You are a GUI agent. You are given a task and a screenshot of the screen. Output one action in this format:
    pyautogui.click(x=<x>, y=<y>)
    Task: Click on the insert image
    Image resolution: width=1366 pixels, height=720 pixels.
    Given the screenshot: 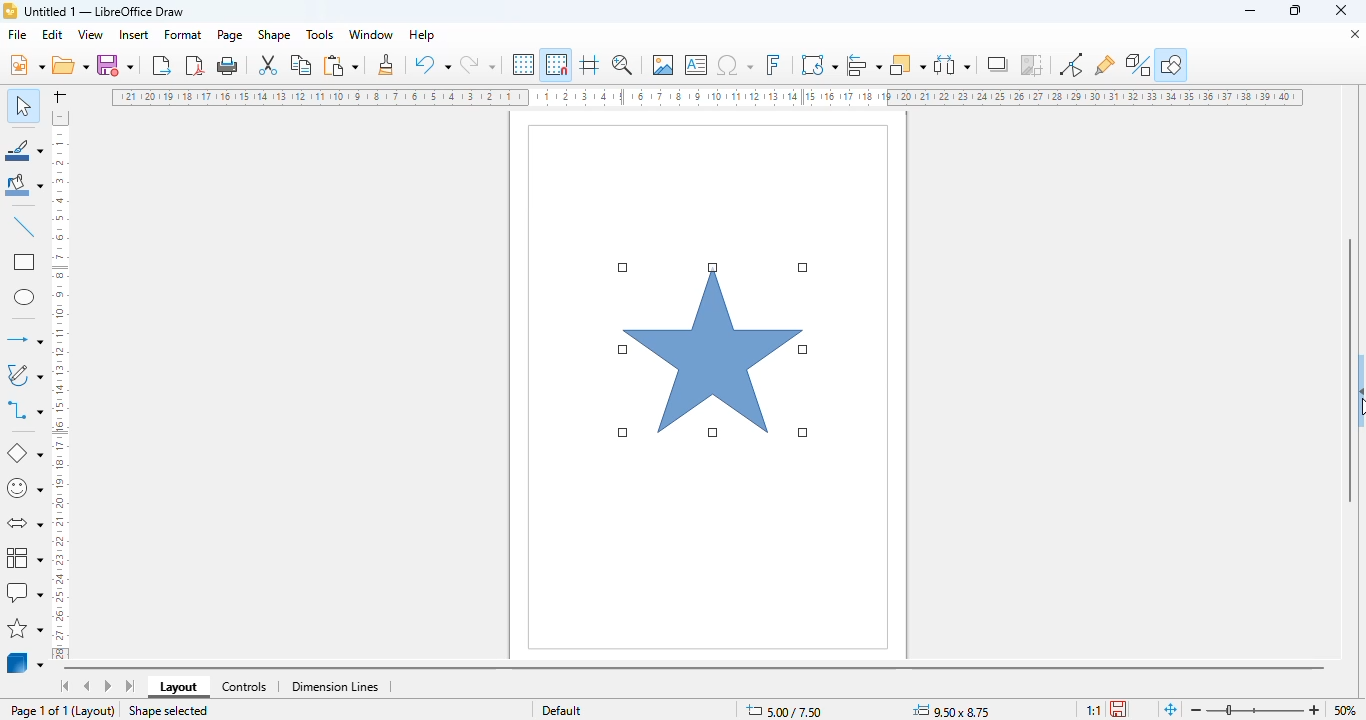 What is the action you would take?
    pyautogui.click(x=663, y=64)
    